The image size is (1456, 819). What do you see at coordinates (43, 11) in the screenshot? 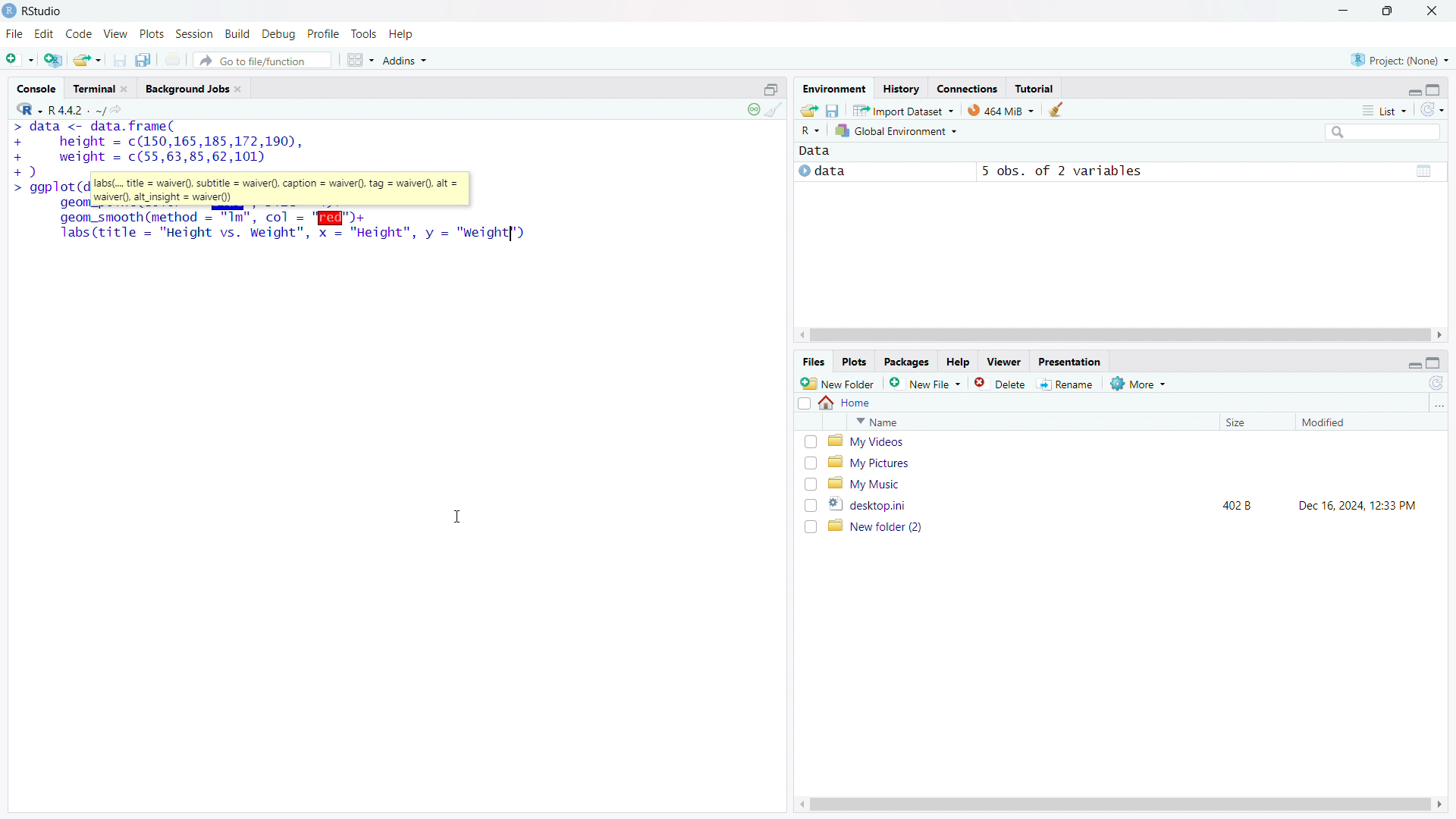
I see `rstudio` at bounding box center [43, 11].